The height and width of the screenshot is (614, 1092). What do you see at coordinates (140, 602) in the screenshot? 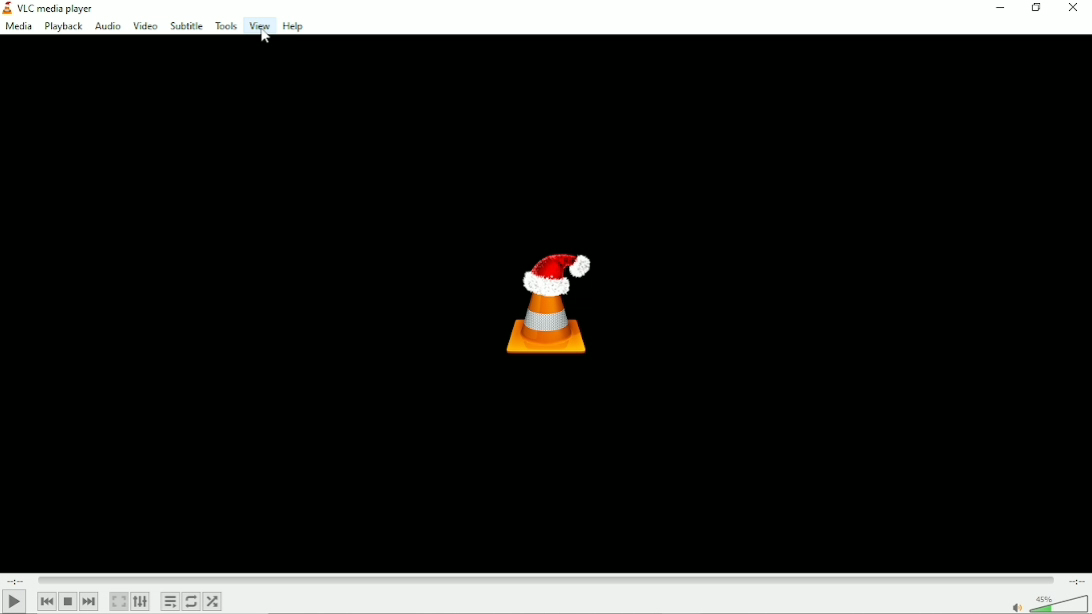
I see `Show extended settings` at bounding box center [140, 602].